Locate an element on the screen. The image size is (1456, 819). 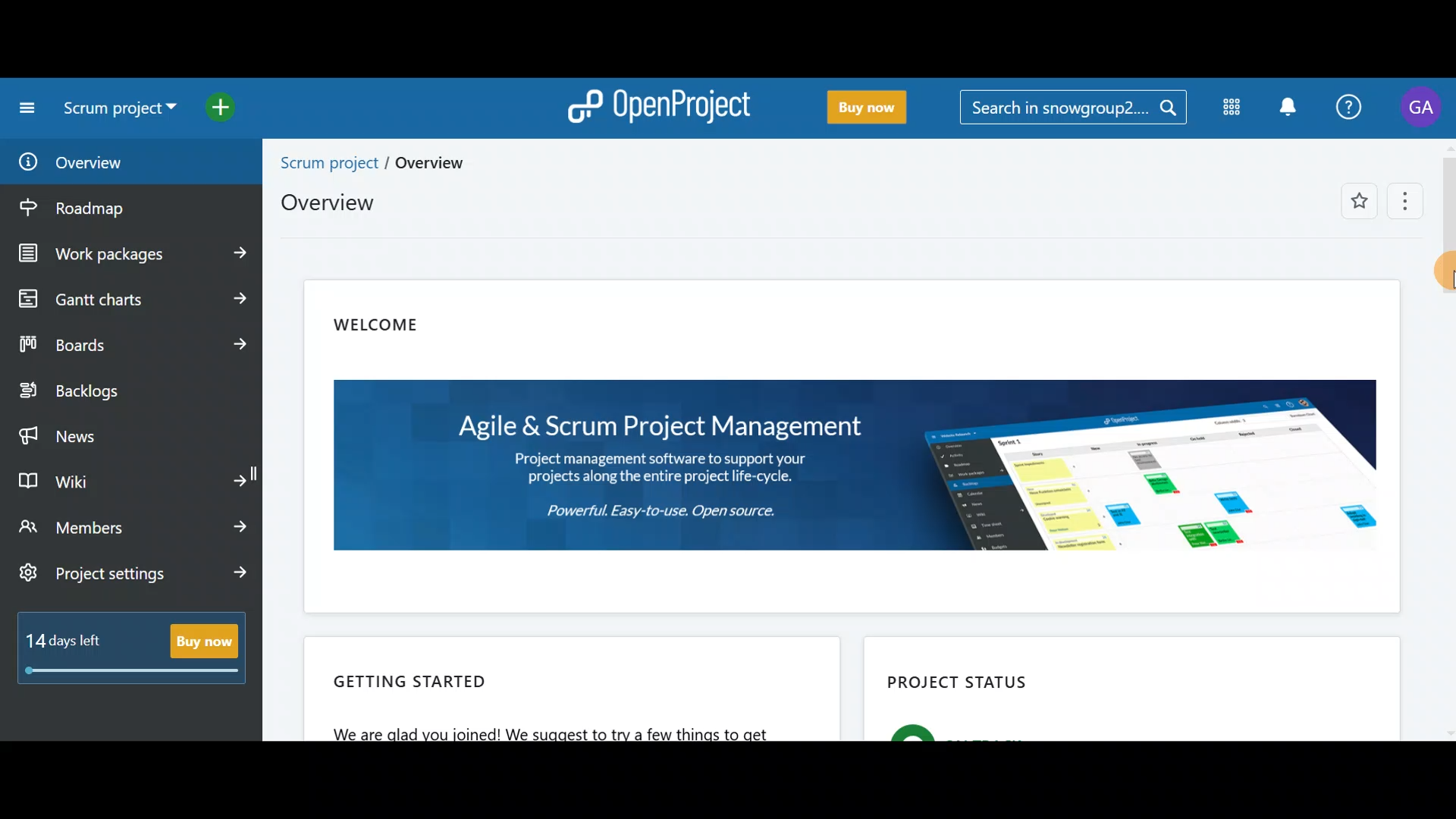
Scroll bar is located at coordinates (1447, 436).